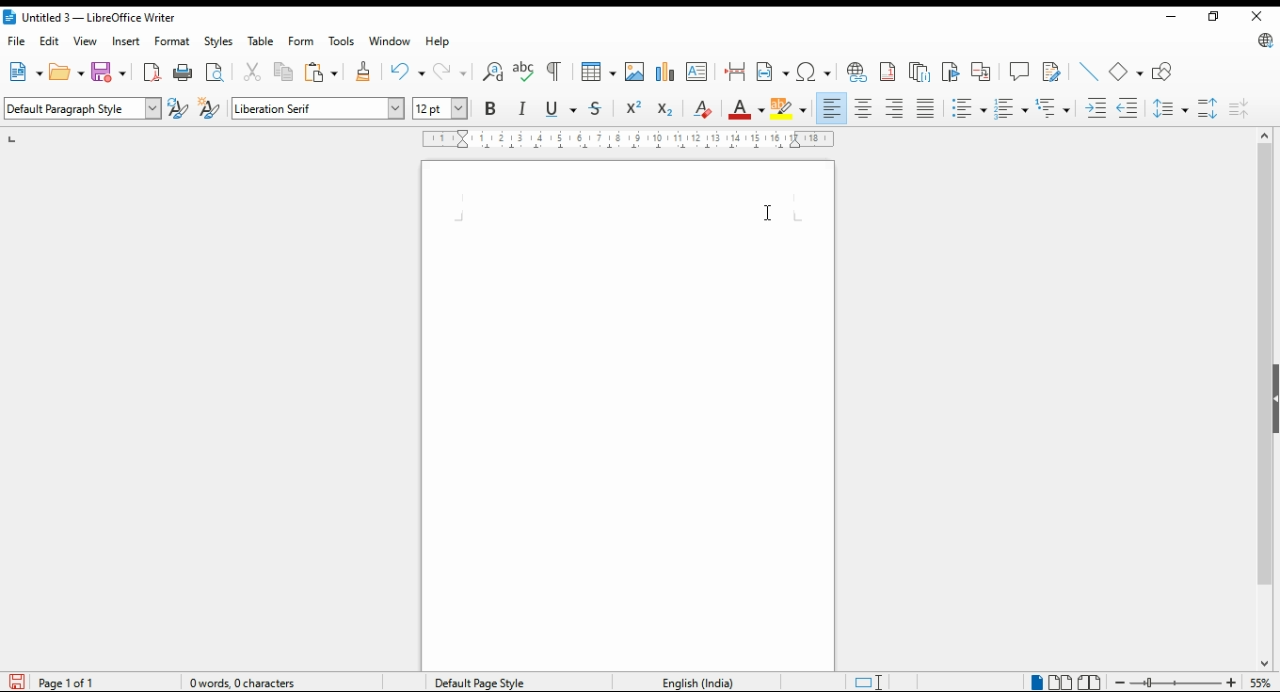 Image resolution: width=1280 pixels, height=692 pixels. Describe the element at coordinates (67, 71) in the screenshot. I see `open` at that location.